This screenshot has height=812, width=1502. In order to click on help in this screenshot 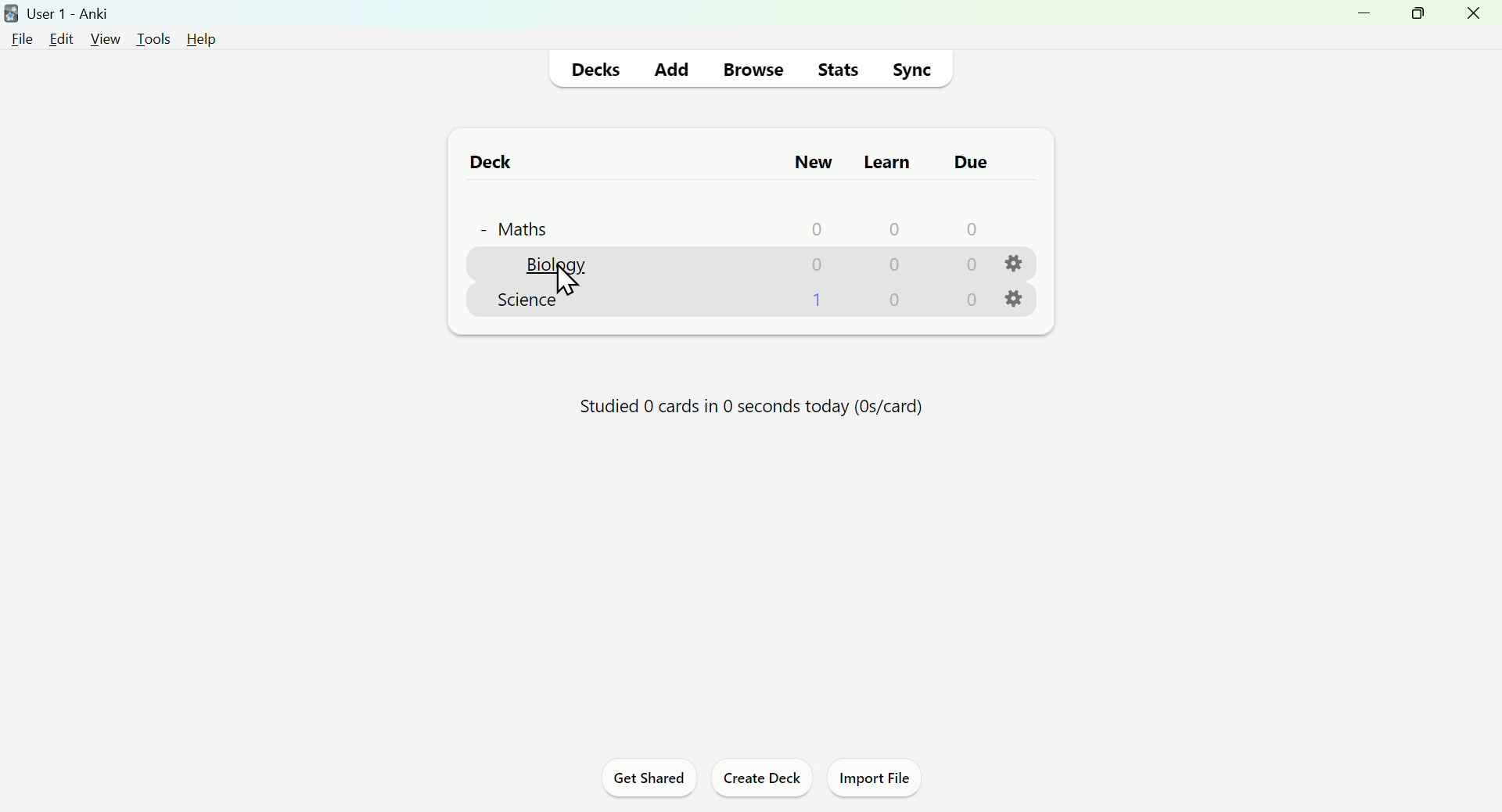, I will do `click(204, 41)`.